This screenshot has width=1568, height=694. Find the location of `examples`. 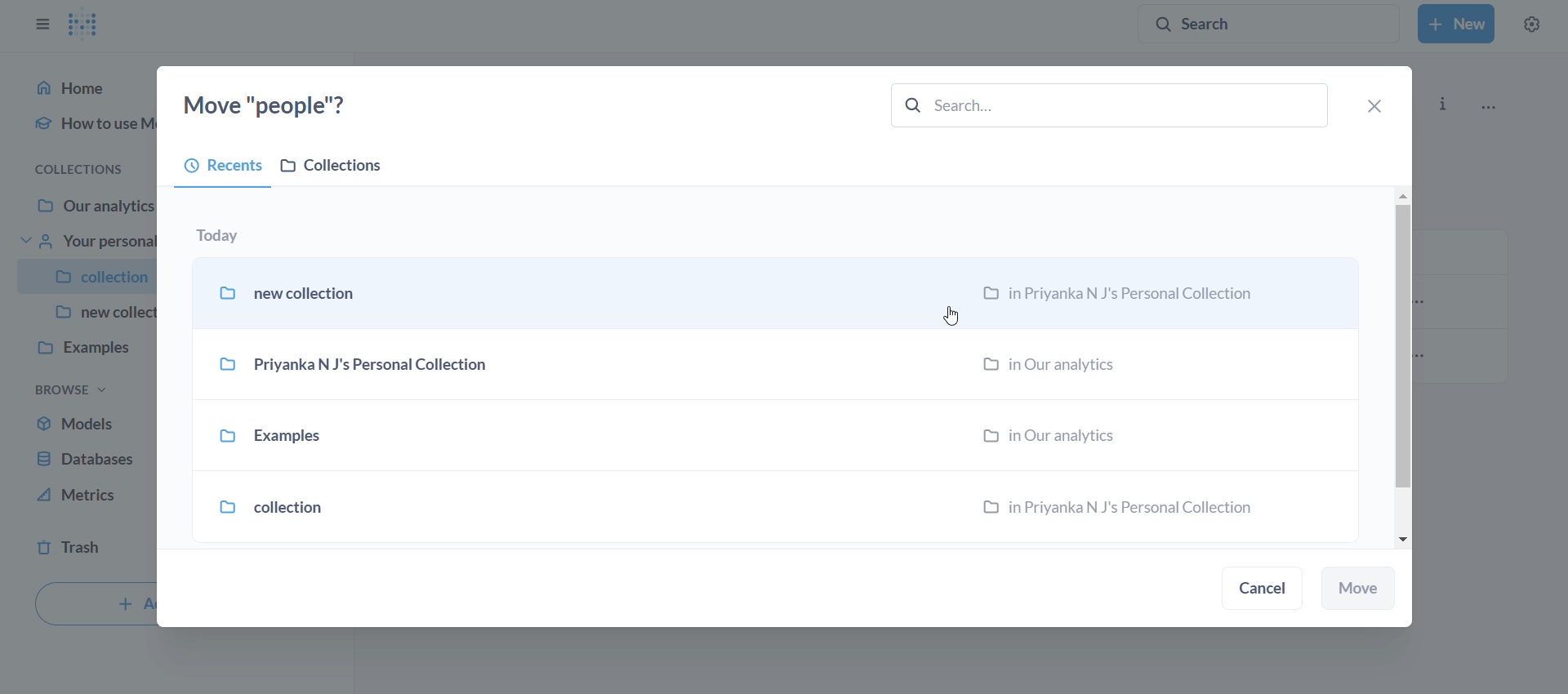

examples is located at coordinates (777, 434).